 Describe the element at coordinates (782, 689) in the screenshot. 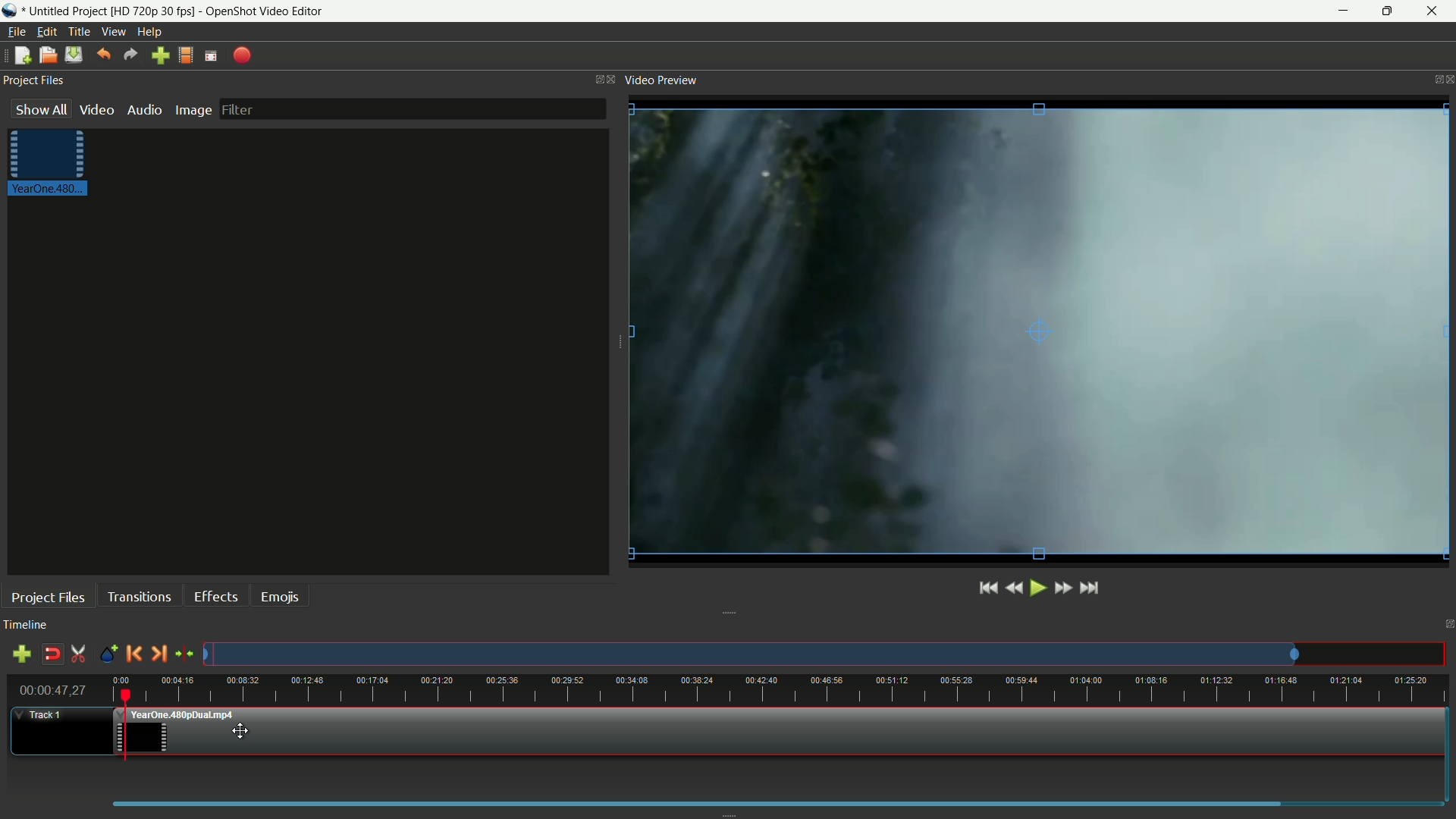

I see `time` at that location.